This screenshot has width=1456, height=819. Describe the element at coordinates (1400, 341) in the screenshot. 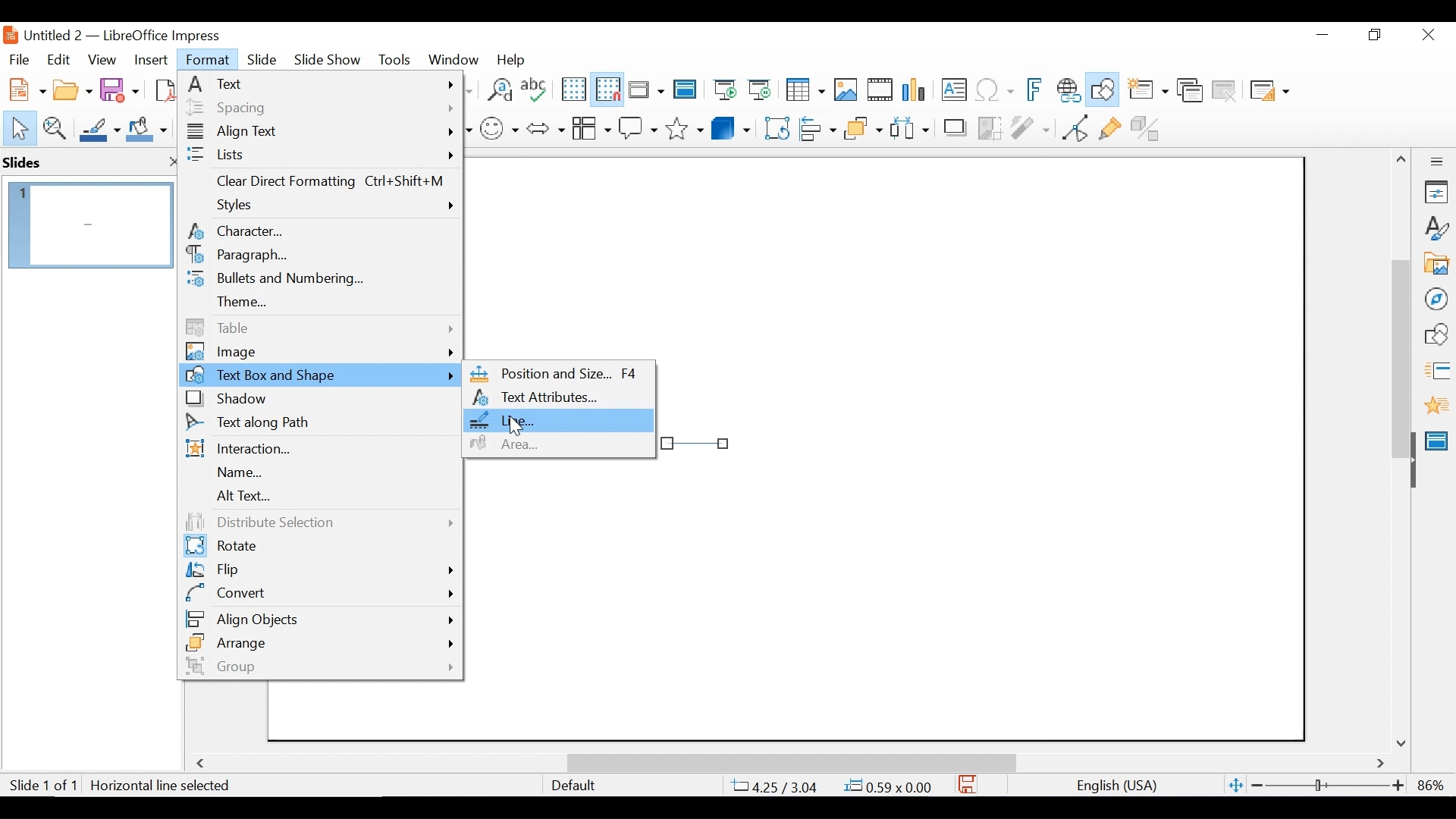

I see `Vertical Scrollbar` at that location.